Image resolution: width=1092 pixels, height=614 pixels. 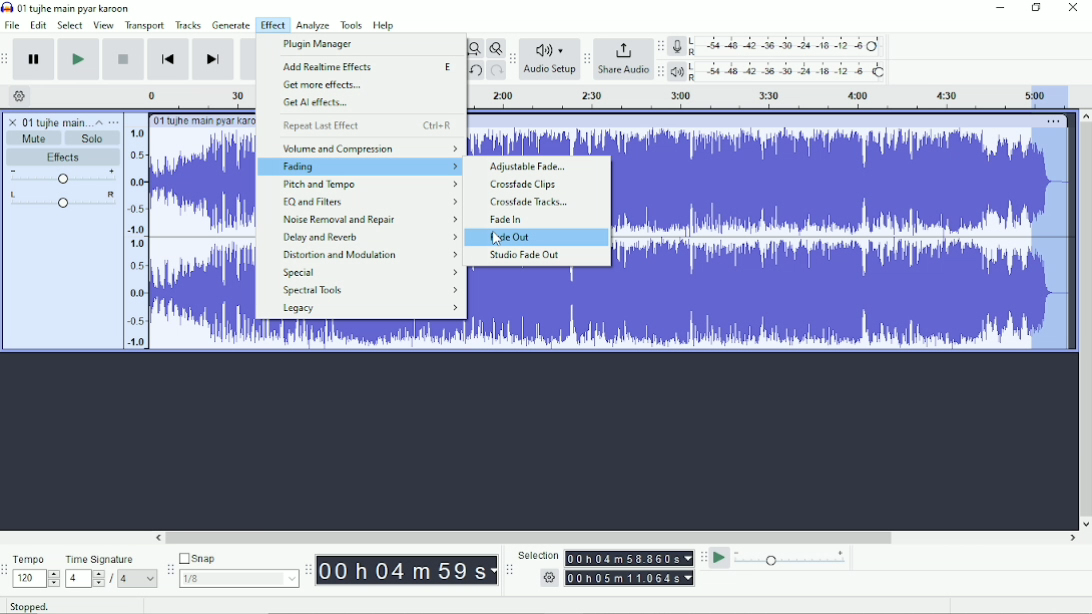 What do you see at coordinates (369, 272) in the screenshot?
I see `Special` at bounding box center [369, 272].